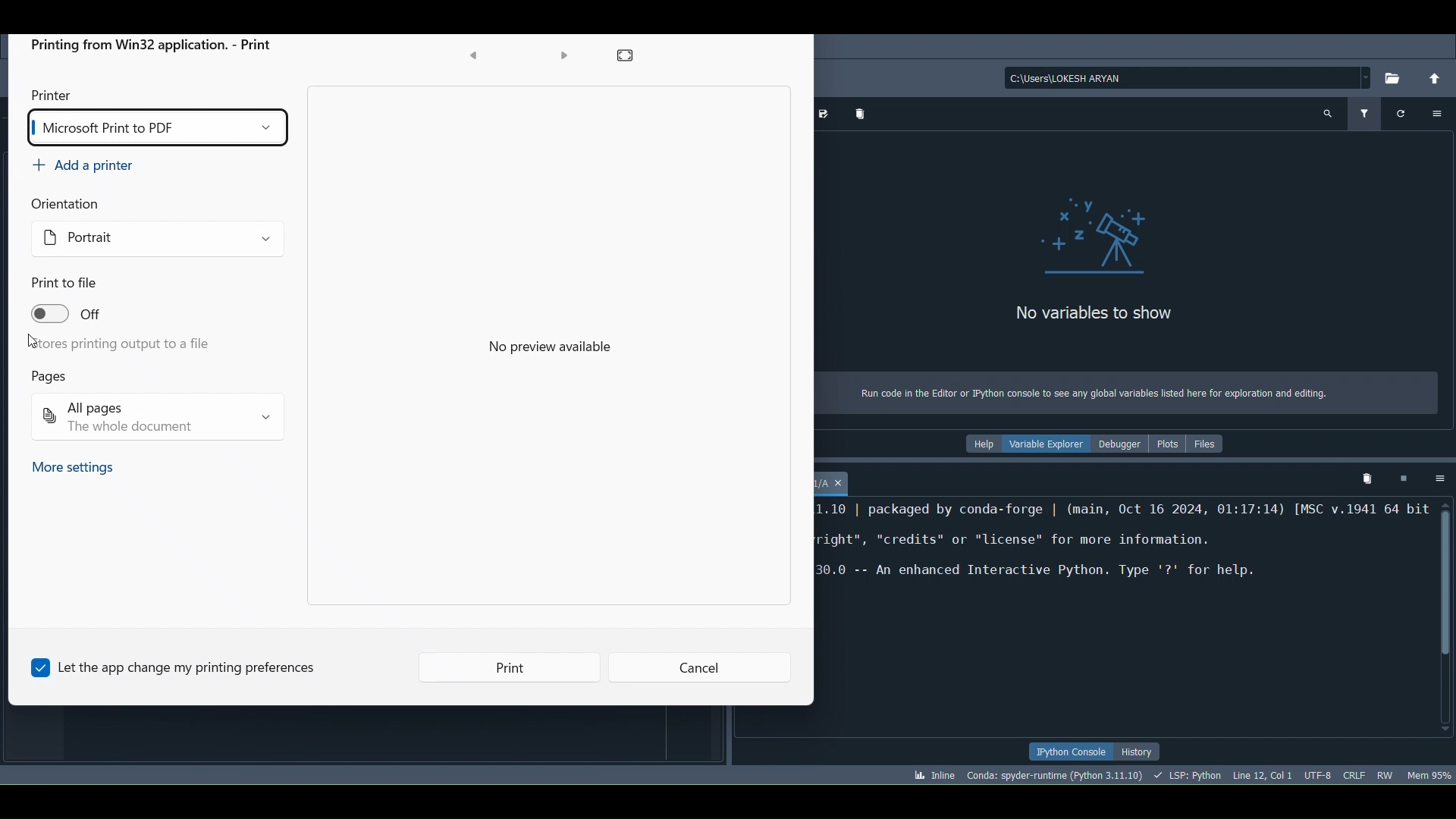 The height and width of the screenshot is (819, 1456). Describe the element at coordinates (1139, 752) in the screenshot. I see `History` at that location.